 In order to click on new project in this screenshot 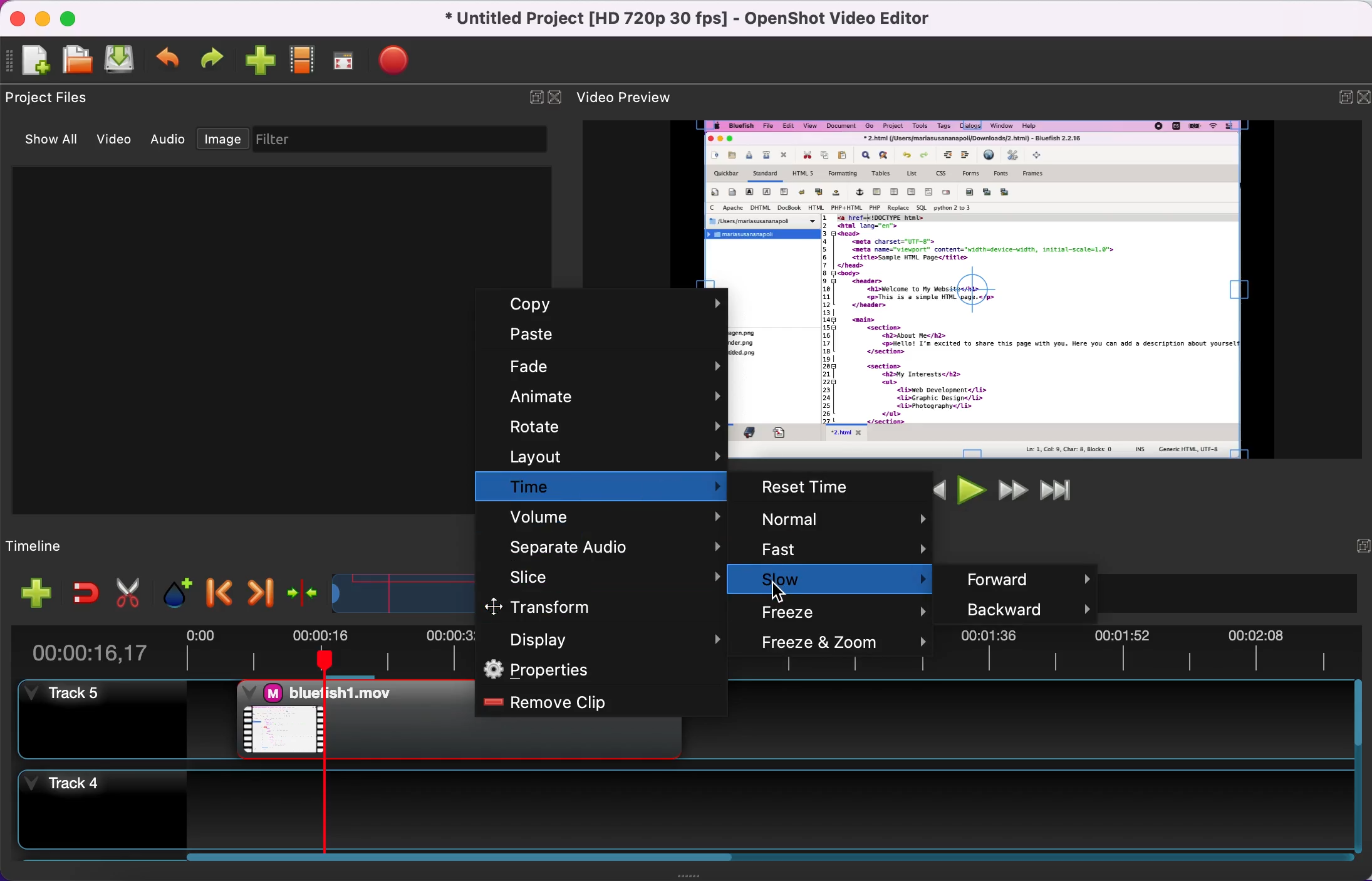, I will do `click(36, 63)`.